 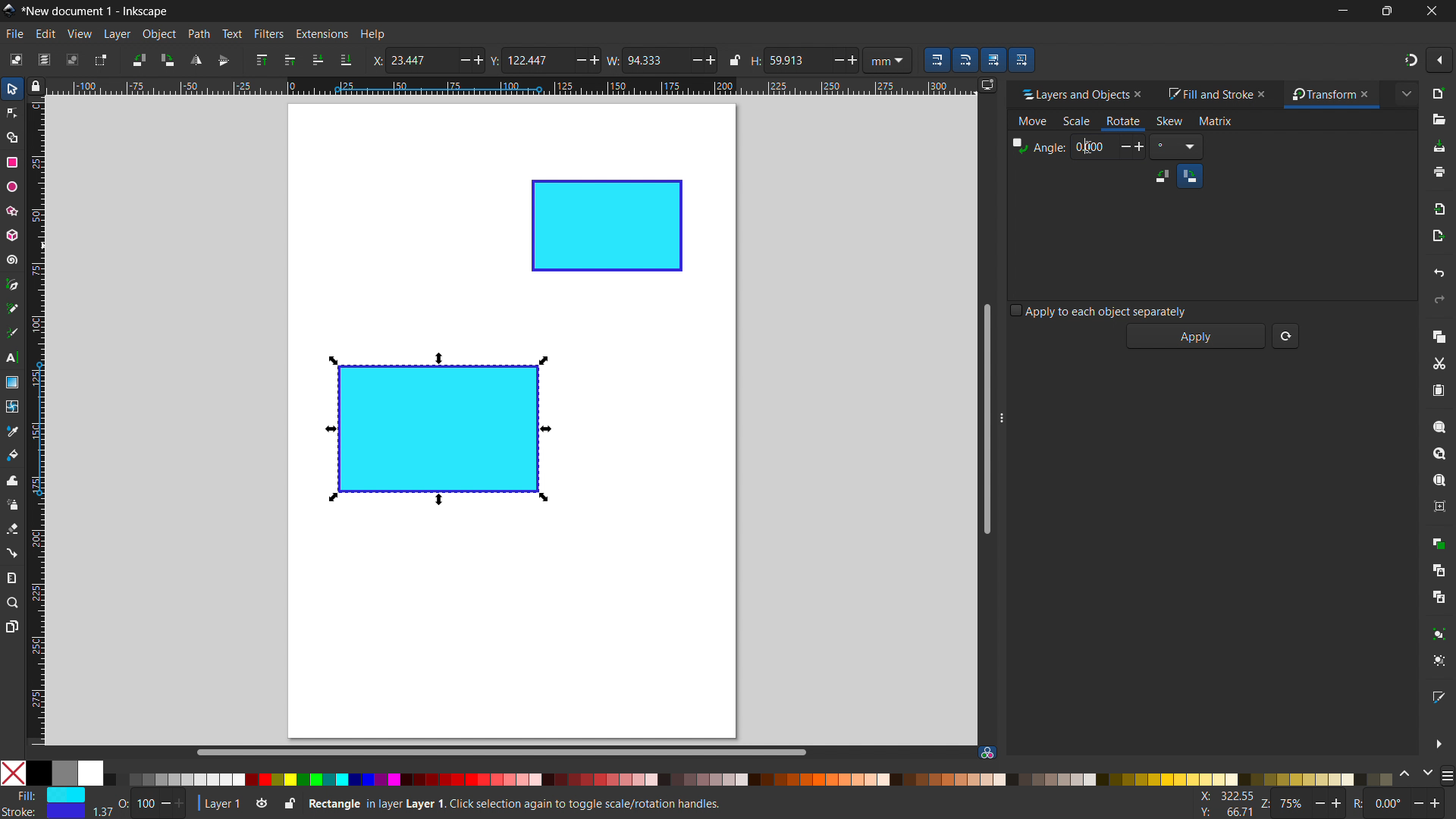 I want to click on paste, so click(x=1438, y=390).